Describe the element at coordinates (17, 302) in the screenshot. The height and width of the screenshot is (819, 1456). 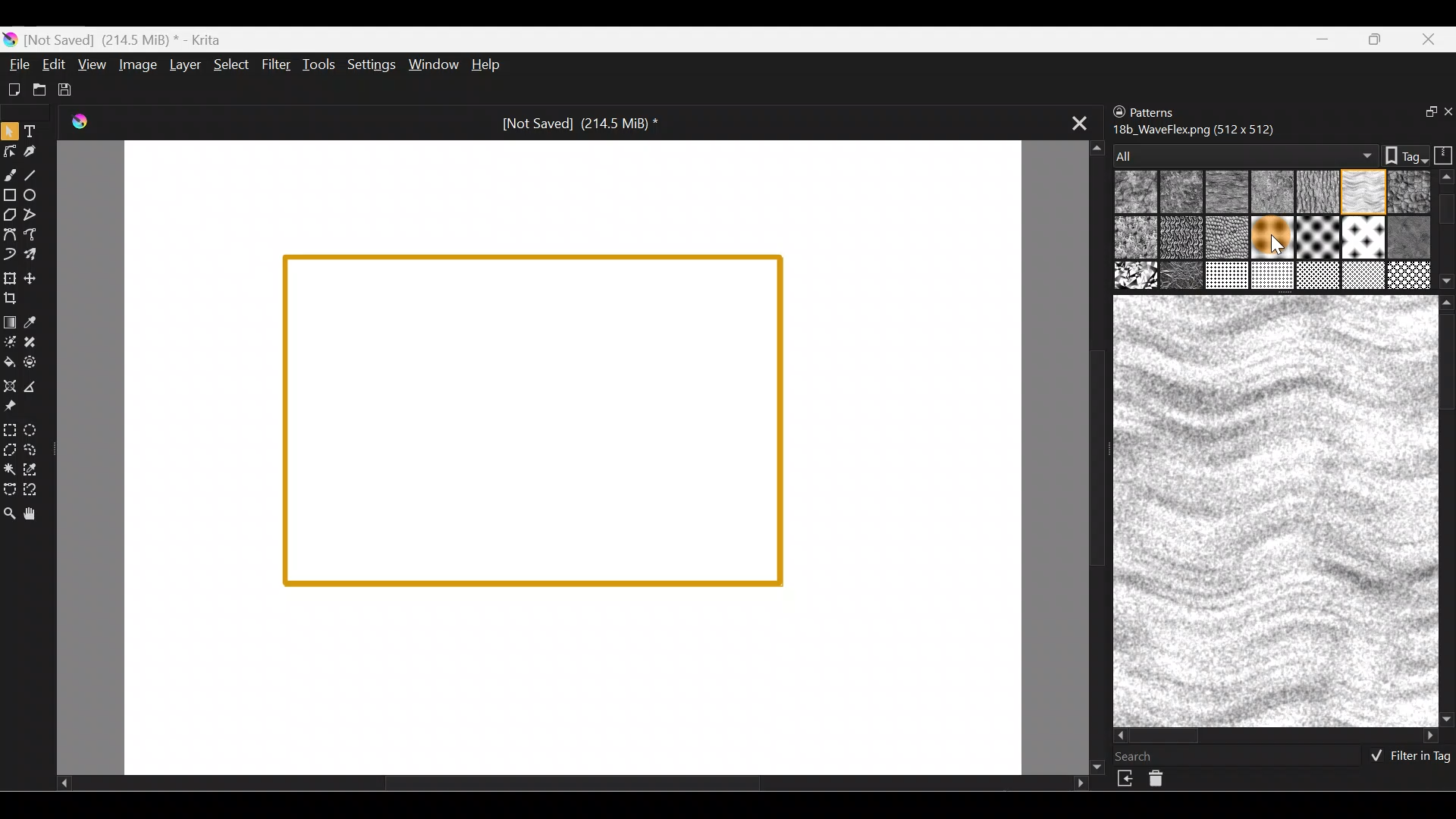
I see `Crop an image` at that location.